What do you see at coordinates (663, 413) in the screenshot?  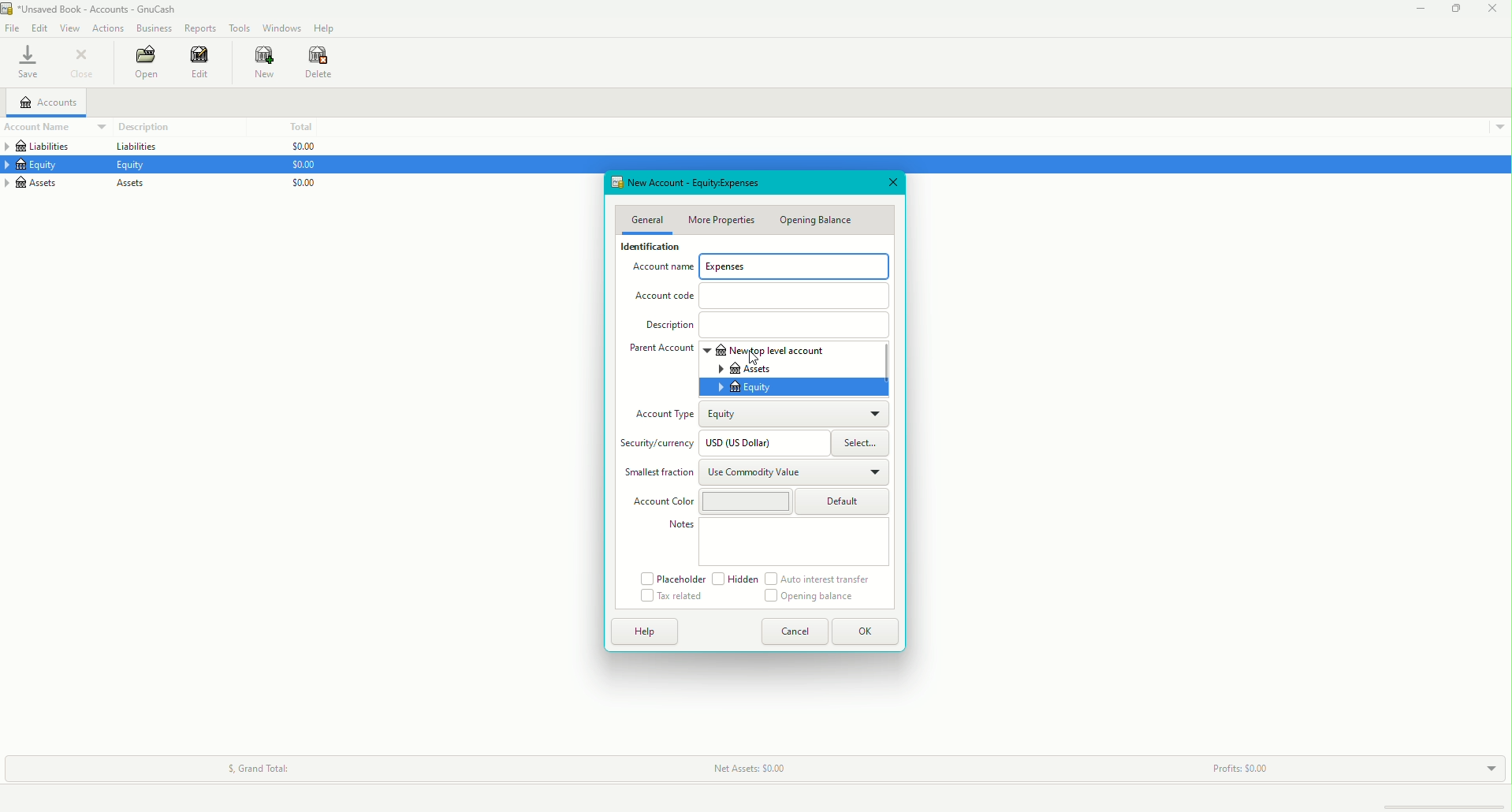 I see `Account Type` at bounding box center [663, 413].